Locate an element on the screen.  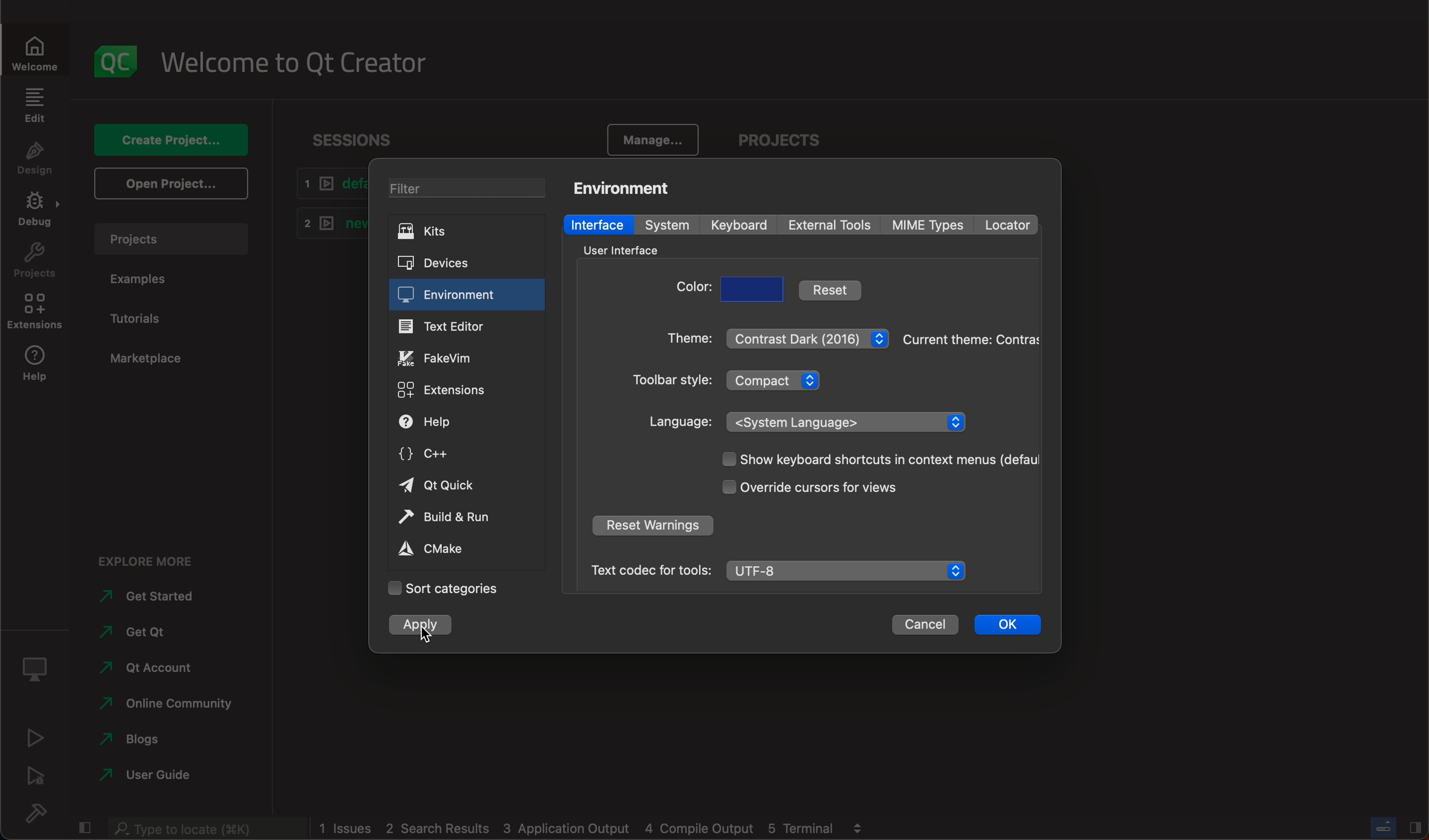
build is located at coordinates (43, 813).